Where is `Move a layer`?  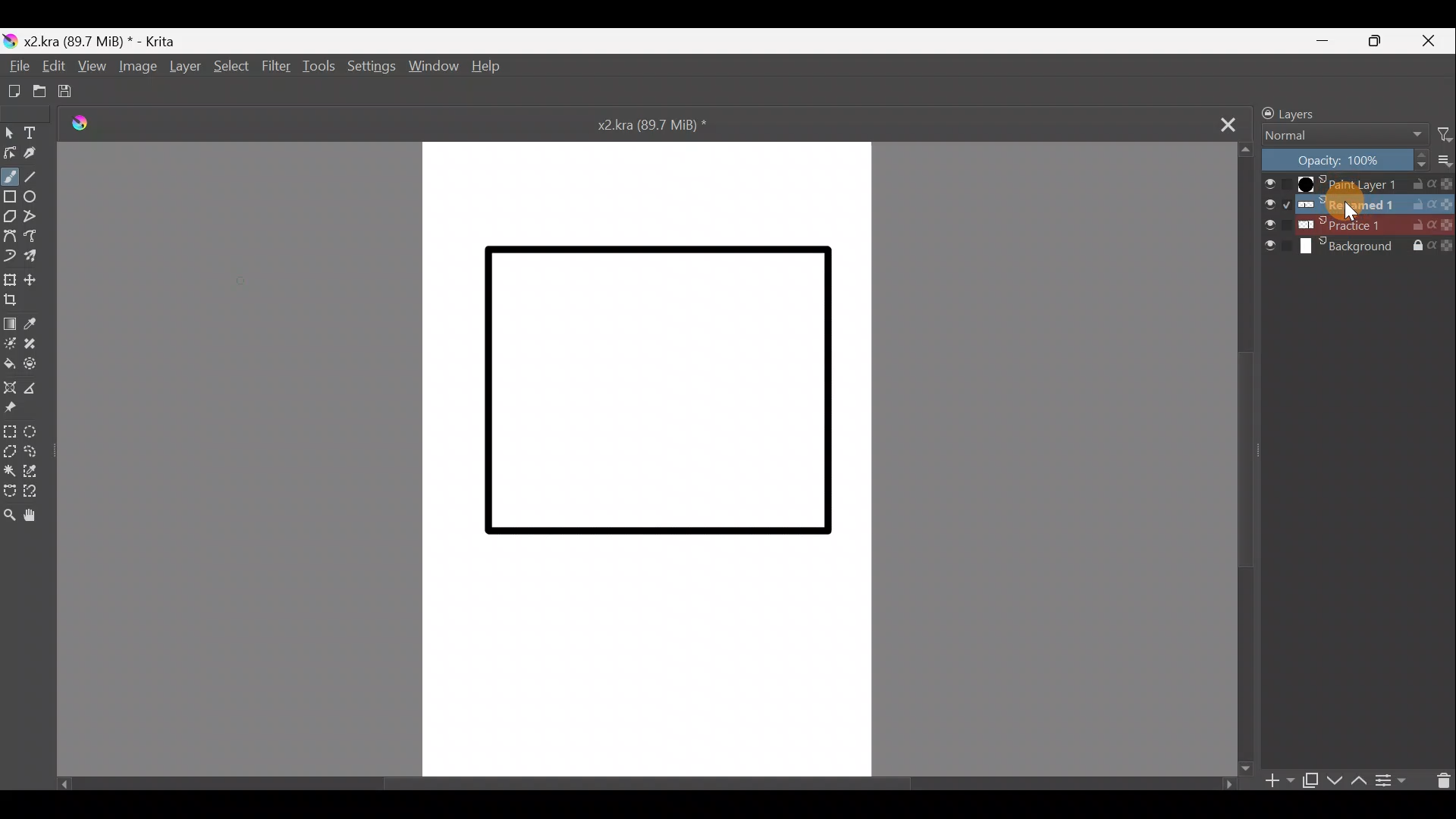 Move a layer is located at coordinates (35, 278).